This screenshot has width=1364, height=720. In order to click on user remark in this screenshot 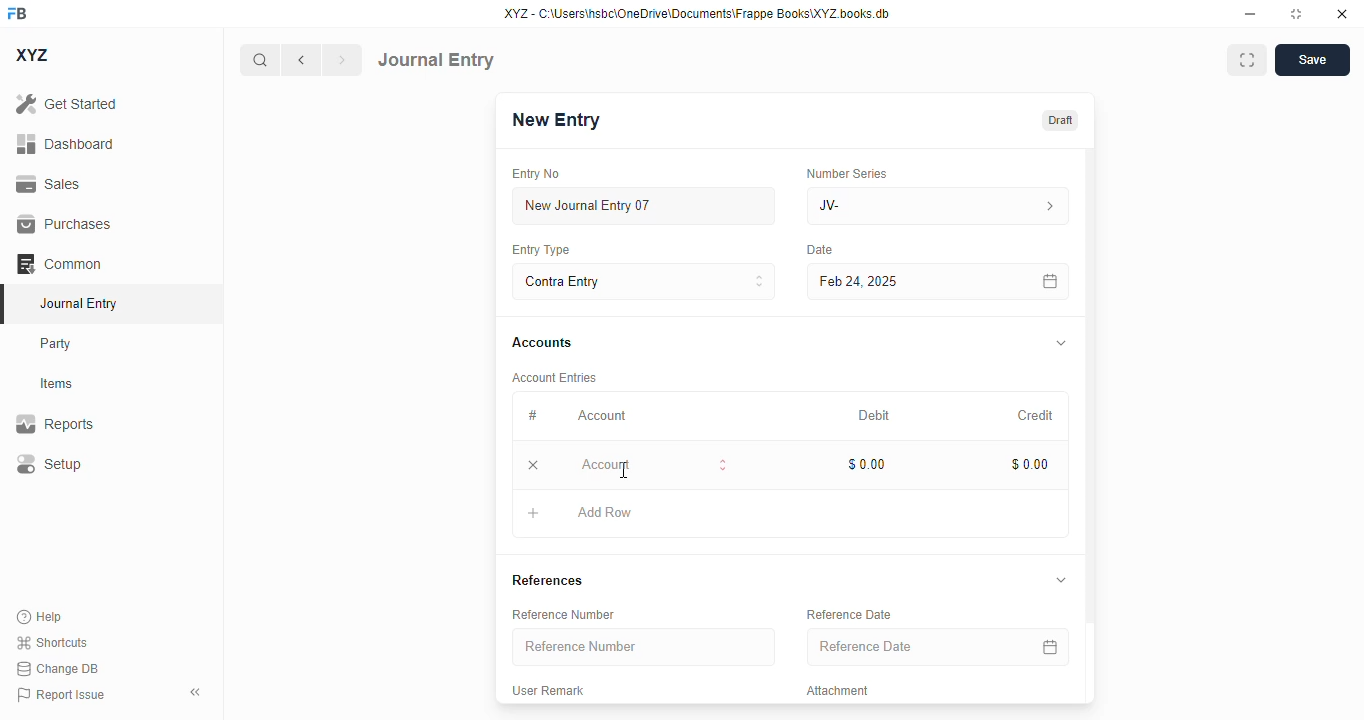, I will do `click(550, 689)`.